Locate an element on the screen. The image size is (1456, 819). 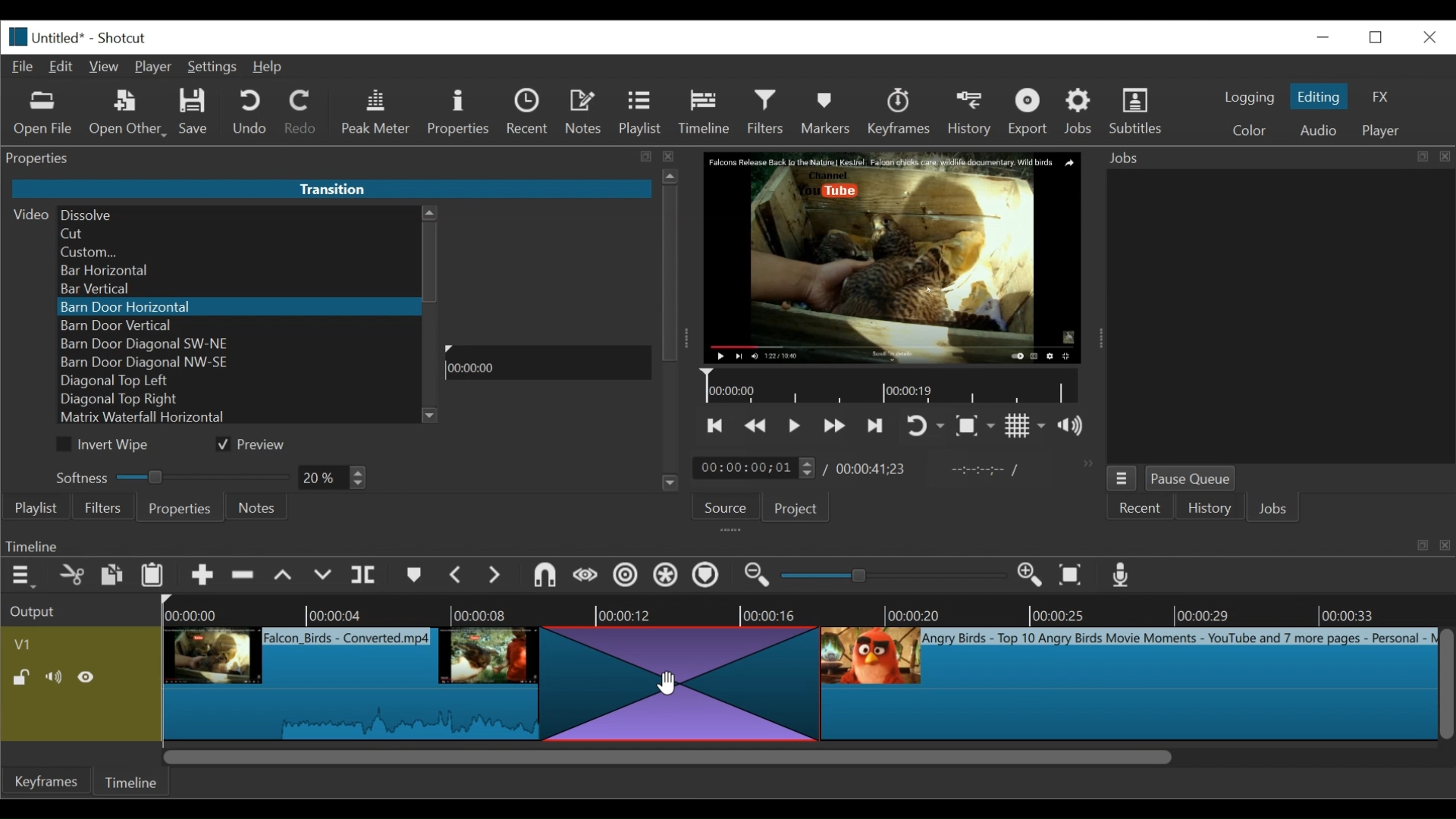
Adjust Softness Slider is located at coordinates (166, 474).